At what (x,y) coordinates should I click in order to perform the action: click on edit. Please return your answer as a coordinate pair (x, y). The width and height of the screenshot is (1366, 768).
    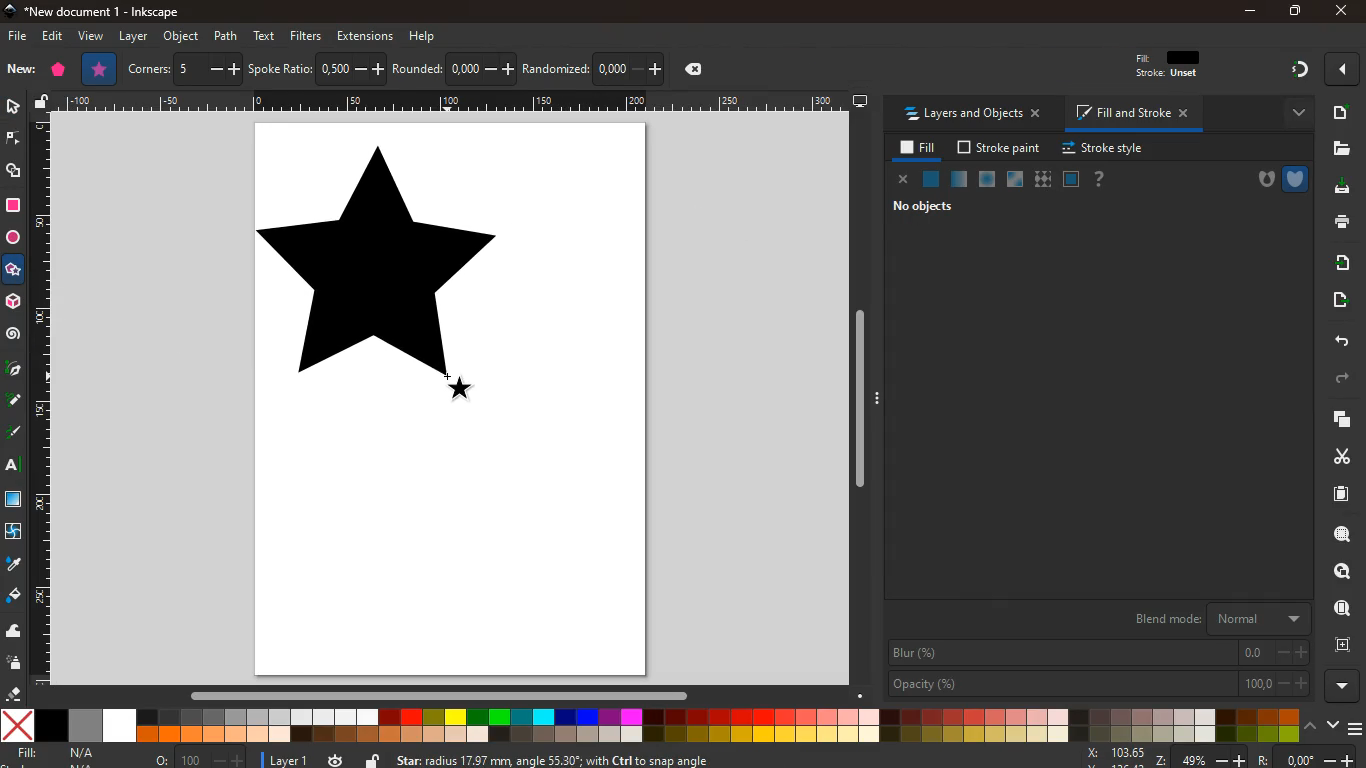
    Looking at the image, I should click on (53, 37).